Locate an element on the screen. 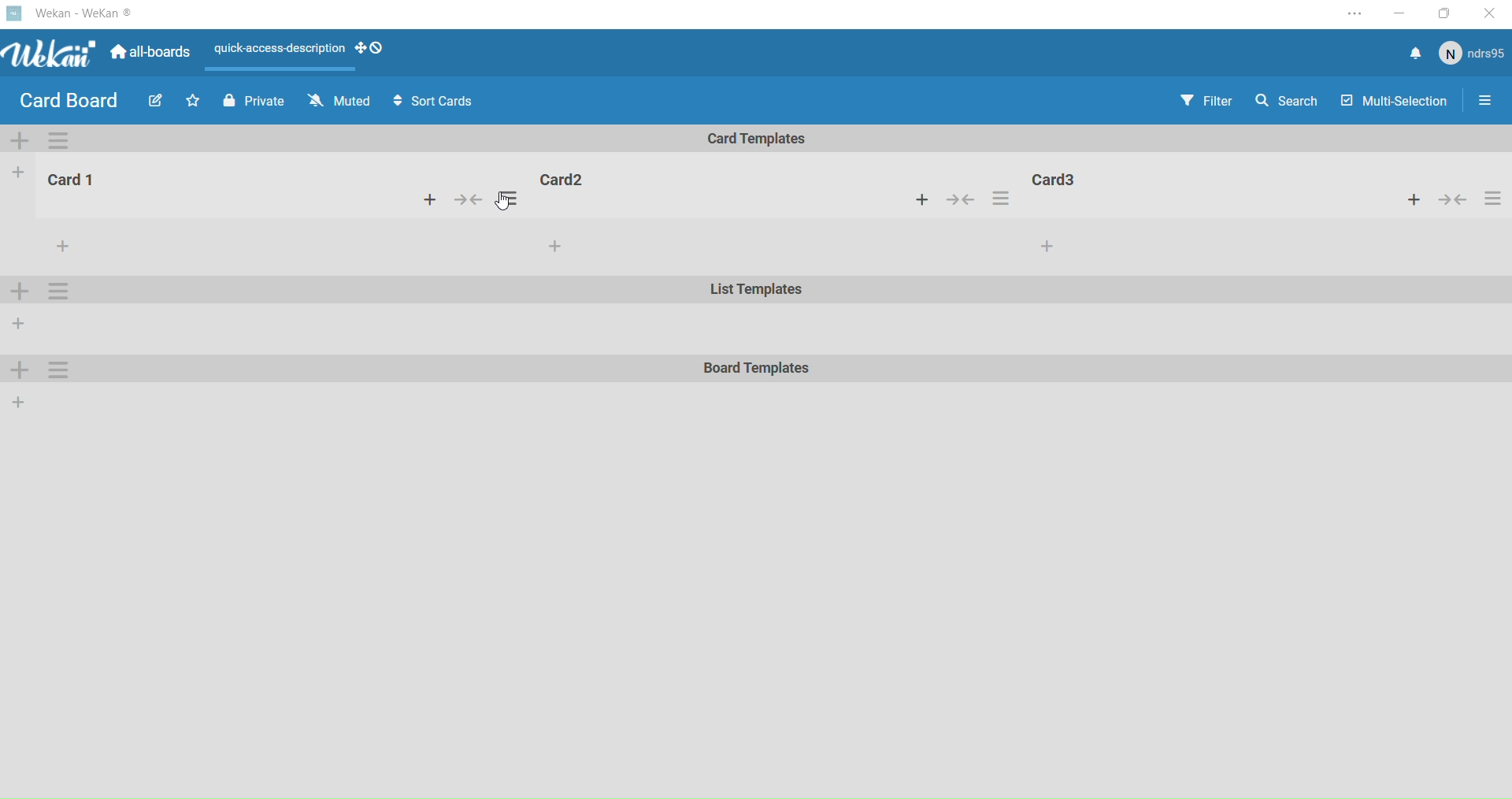 The width and height of the screenshot is (1512, 799). cursor is located at coordinates (503, 204).